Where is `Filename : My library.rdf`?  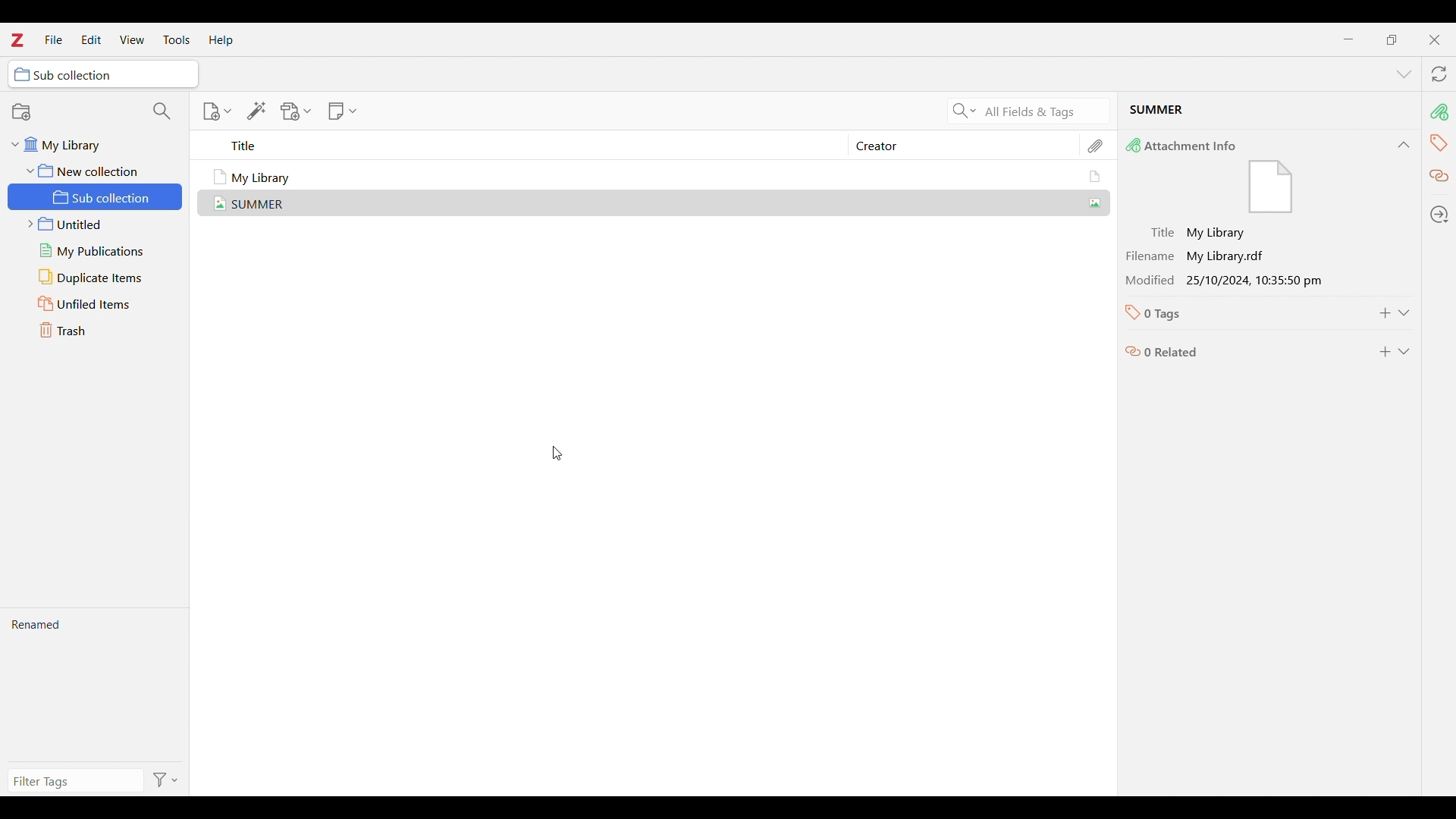 Filename : My library.rdf is located at coordinates (1241, 256).